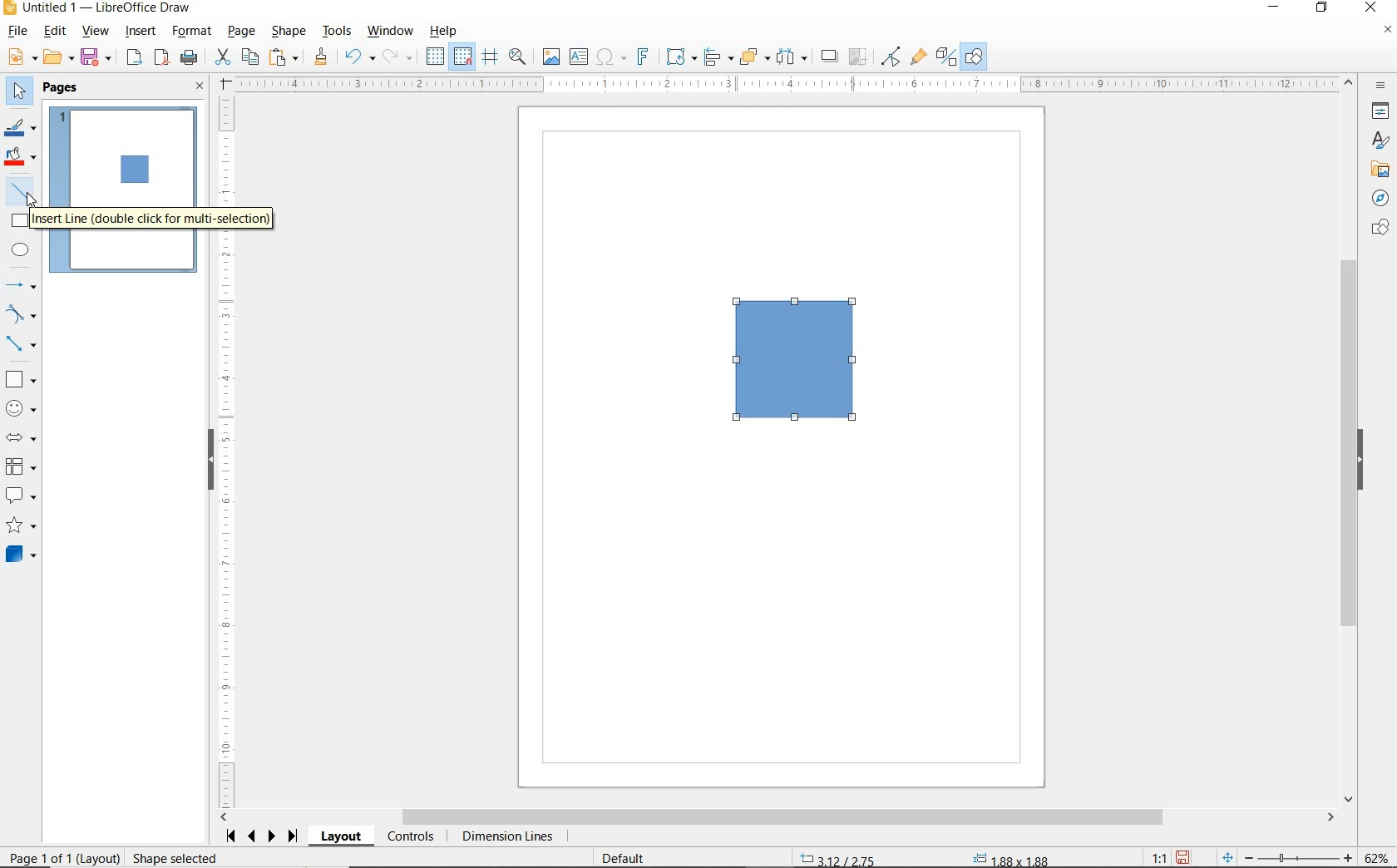 This screenshot has height=868, width=1397. Describe the element at coordinates (410, 837) in the screenshot. I see `CONTROLS` at that location.